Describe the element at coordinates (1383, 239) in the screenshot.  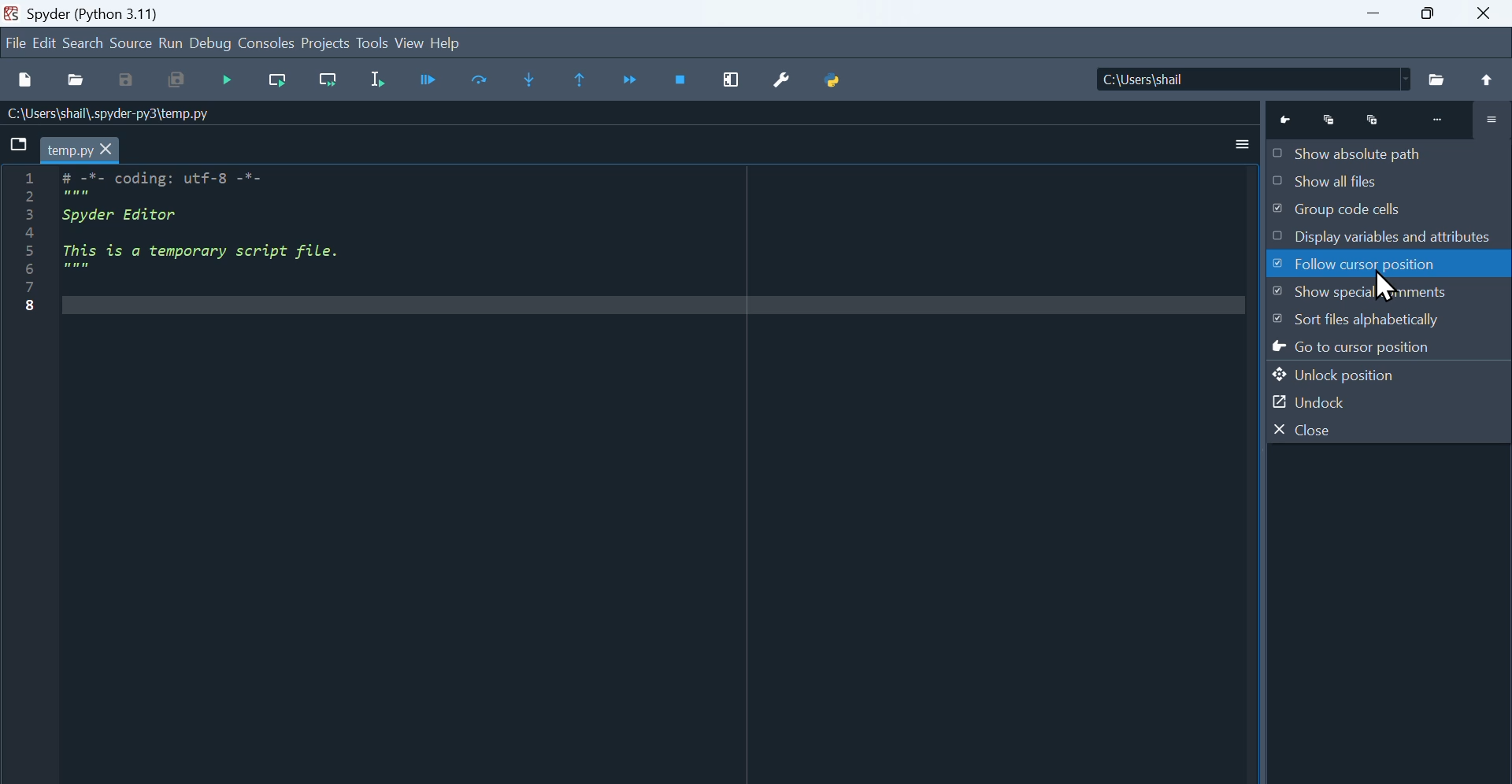
I see `Display variables and attribute` at that location.